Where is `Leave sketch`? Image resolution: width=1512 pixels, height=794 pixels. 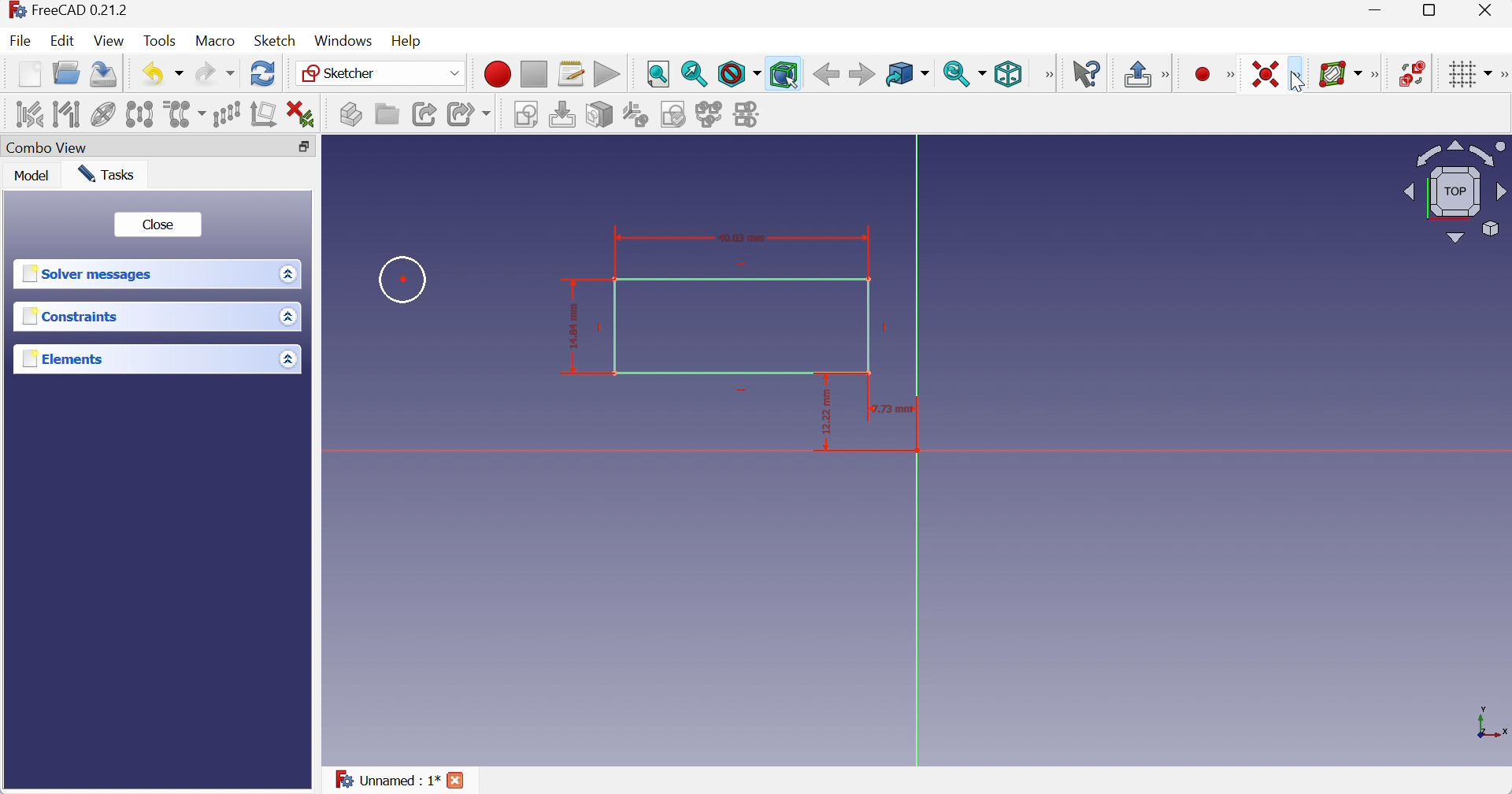 Leave sketch is located at coordinates (1138, 75).